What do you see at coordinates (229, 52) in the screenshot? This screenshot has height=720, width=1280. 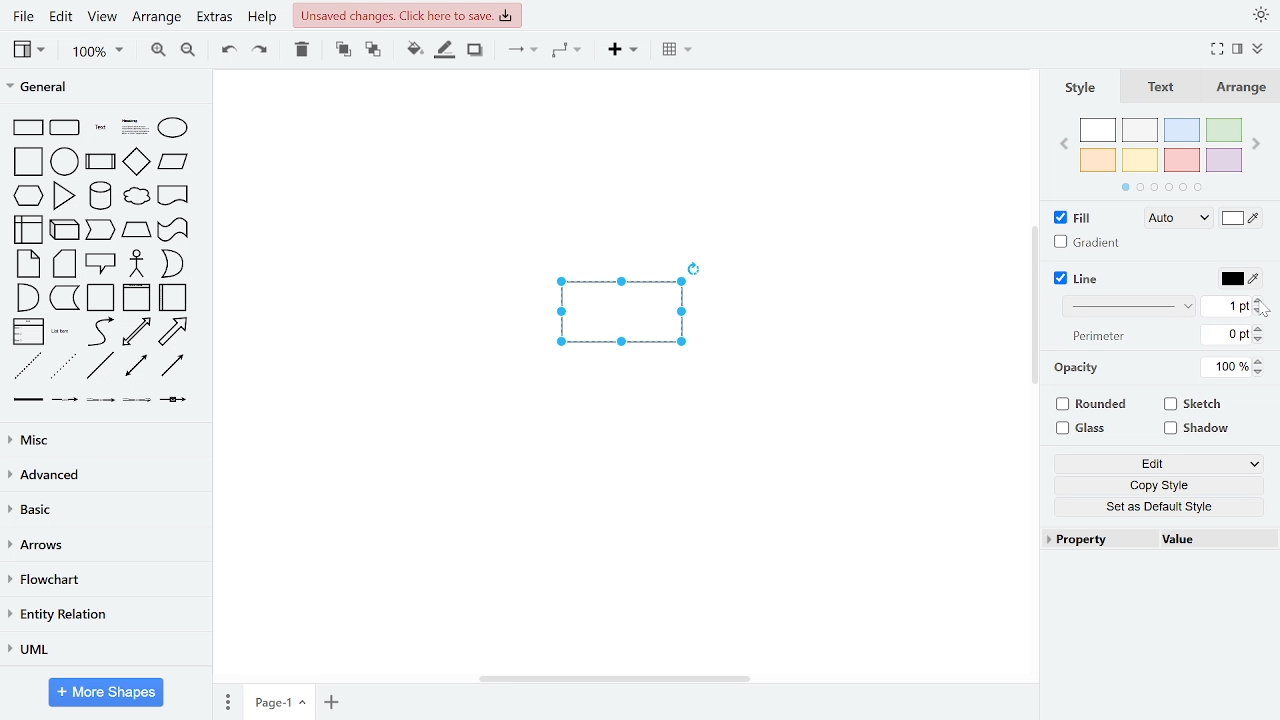 I see `undo` at bounding box center [229, 52].